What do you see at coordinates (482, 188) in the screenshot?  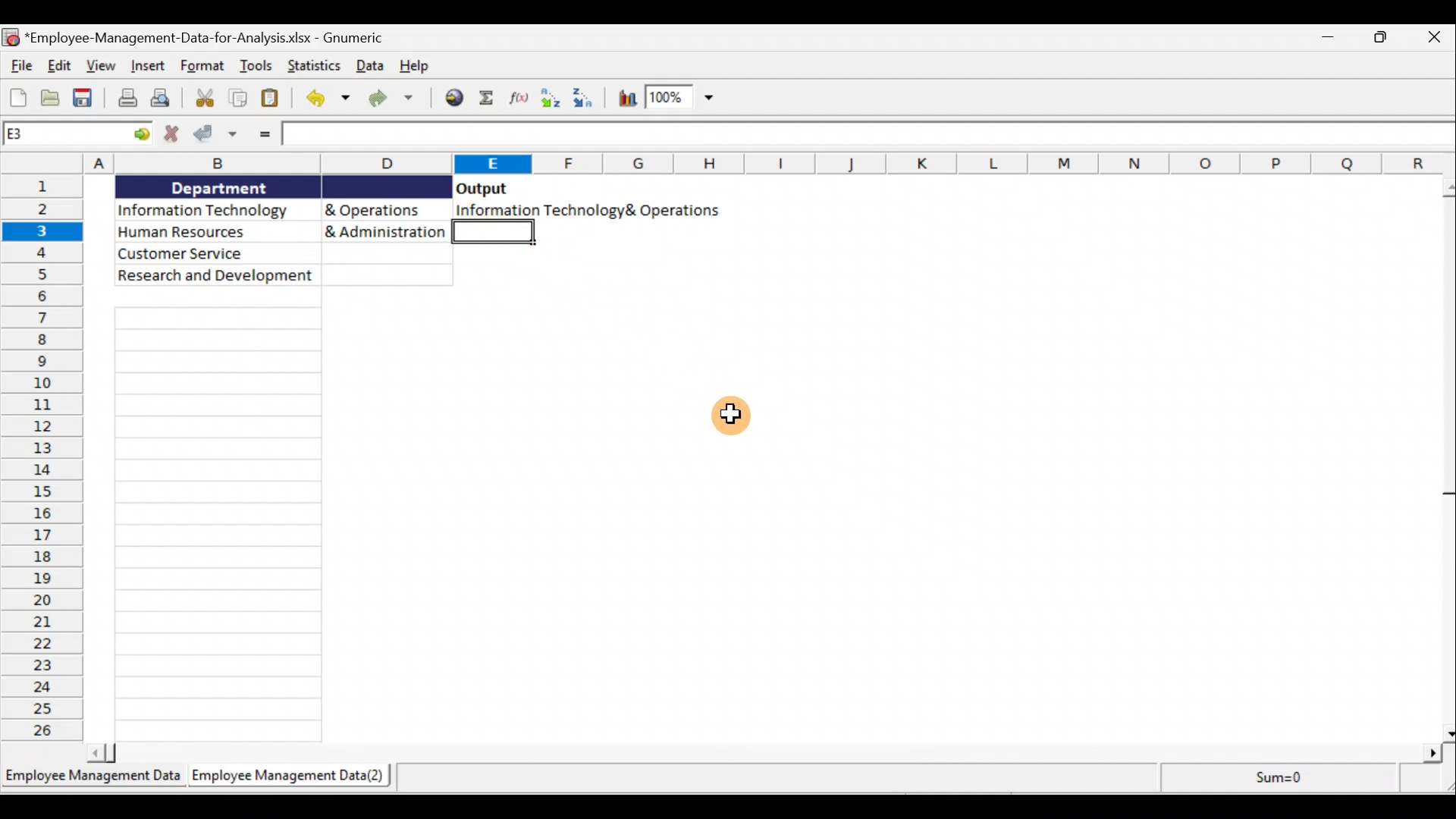 I see `output` at bounding box center [482, 188].